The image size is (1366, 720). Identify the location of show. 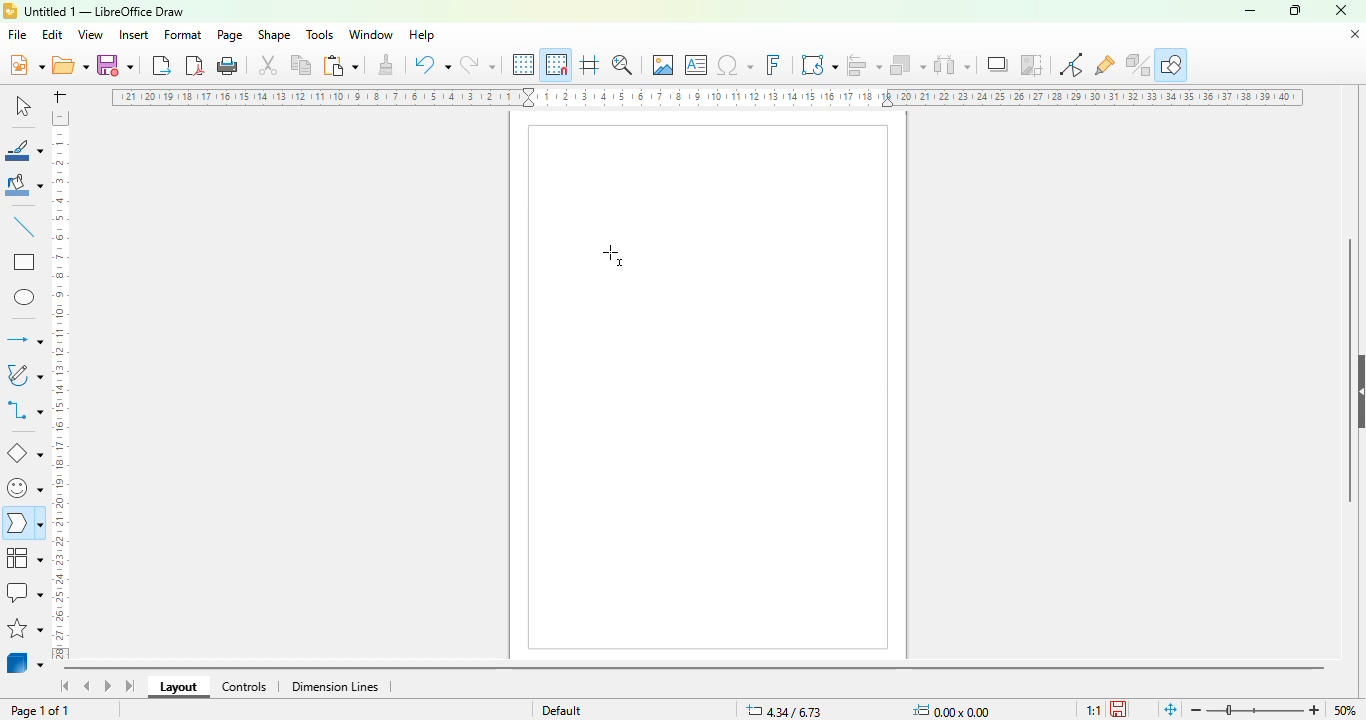
(1357, 392).